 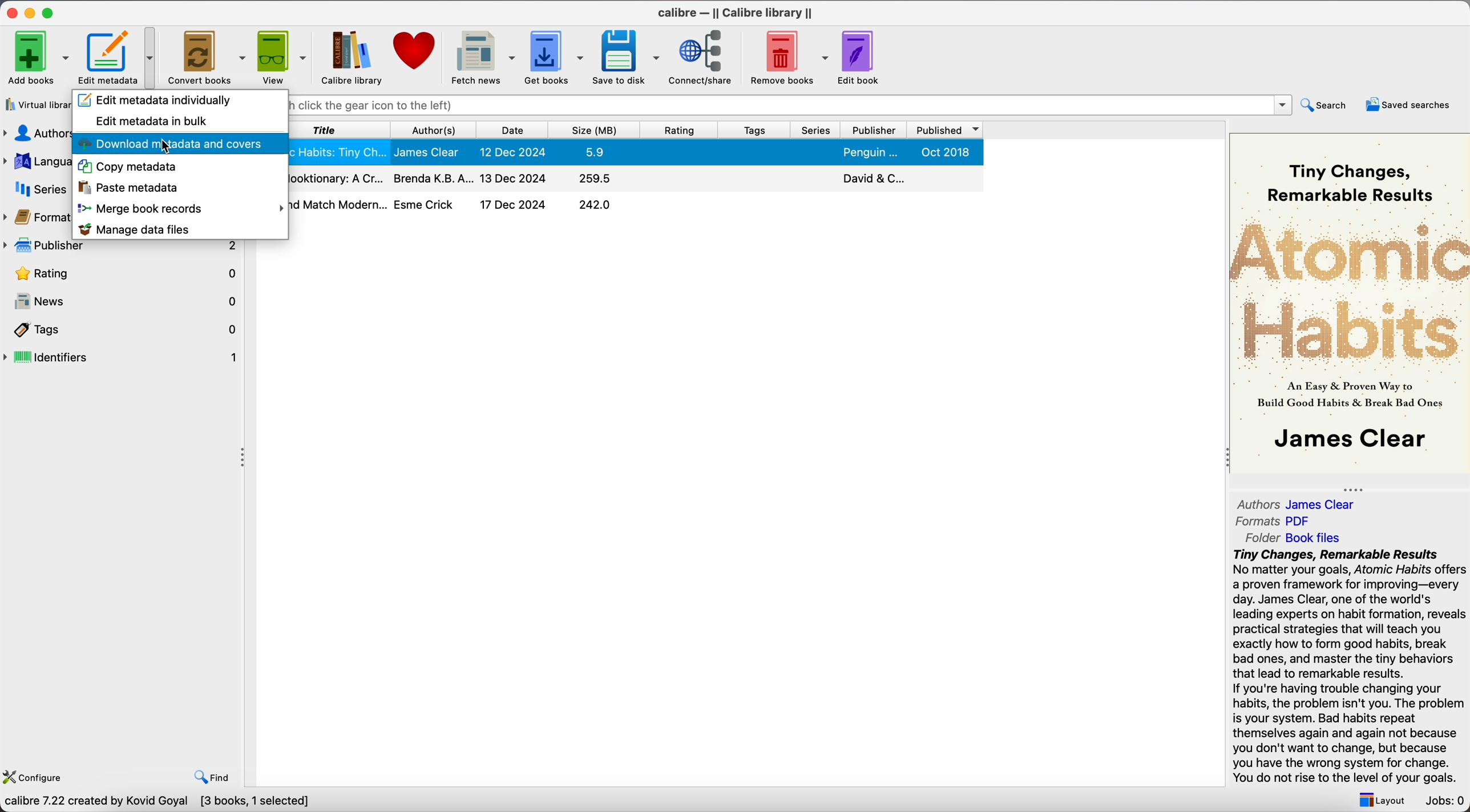 What do you see at coordinates (873, 130) in the screenshot?
I see `publisher` at bounding box center [873, 130].